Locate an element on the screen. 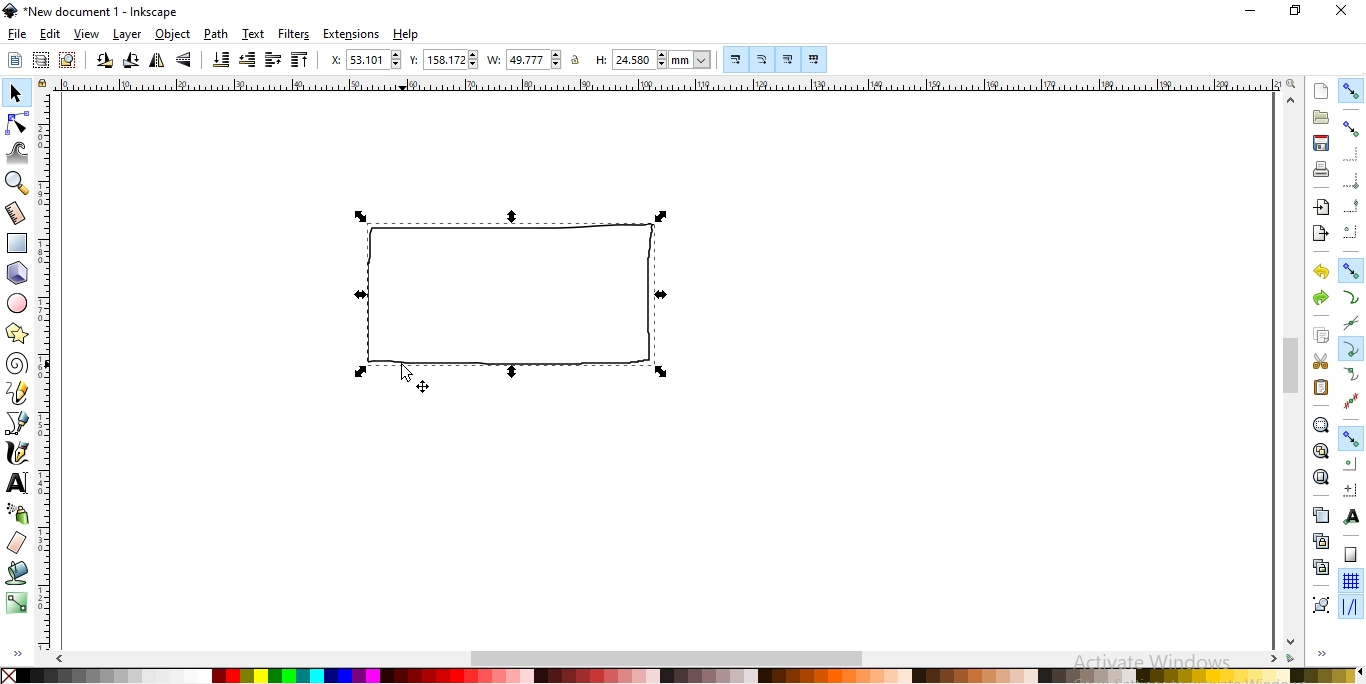 The height and width of the screenshot is (684, 1366). copy is located at coordinates (1322, 336).